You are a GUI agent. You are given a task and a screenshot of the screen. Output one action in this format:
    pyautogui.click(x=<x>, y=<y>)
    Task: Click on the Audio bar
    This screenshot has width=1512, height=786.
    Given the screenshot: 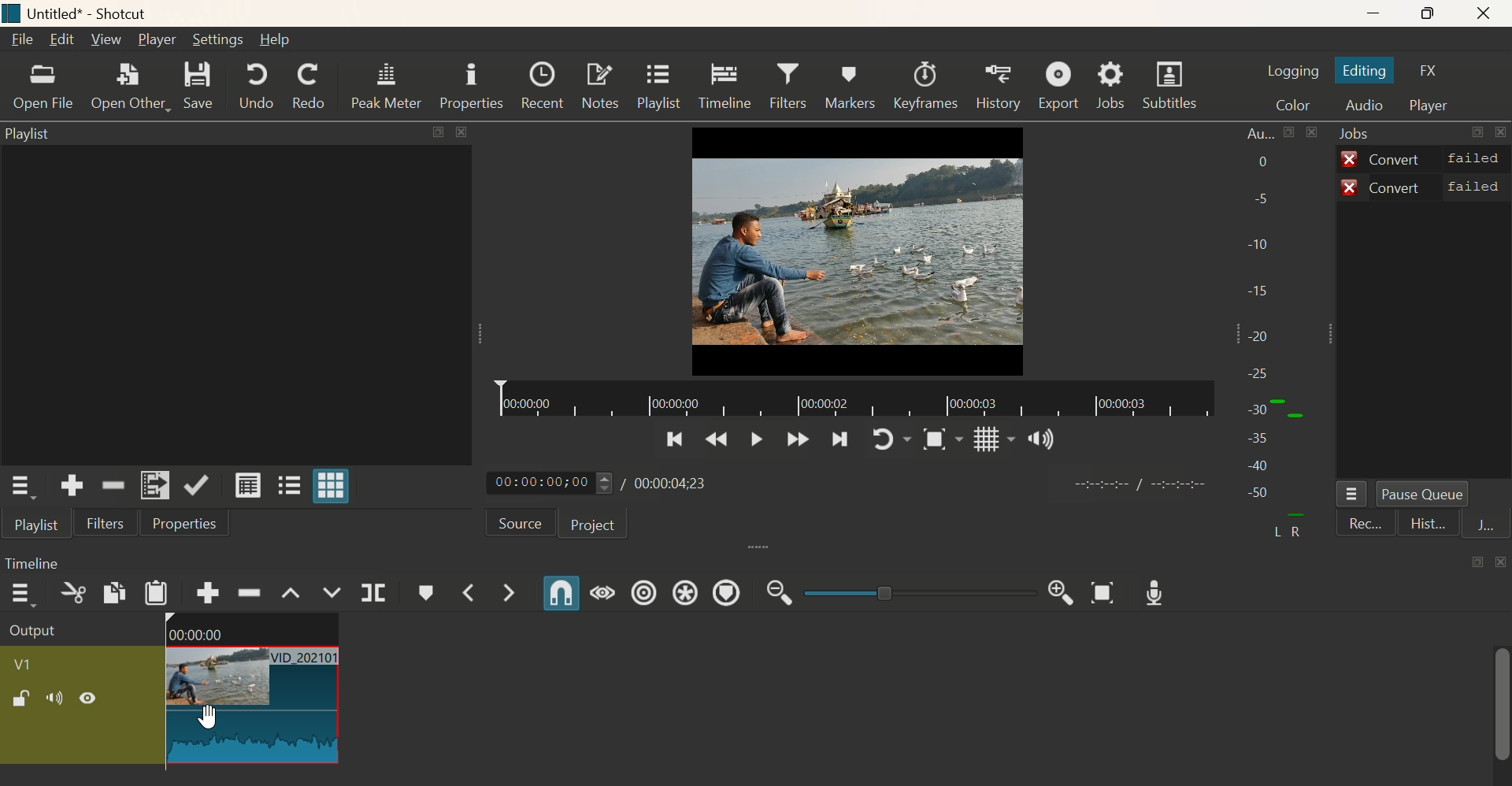 What is the action you would take?
    pyautogui.click(x=1280, y=335)
    